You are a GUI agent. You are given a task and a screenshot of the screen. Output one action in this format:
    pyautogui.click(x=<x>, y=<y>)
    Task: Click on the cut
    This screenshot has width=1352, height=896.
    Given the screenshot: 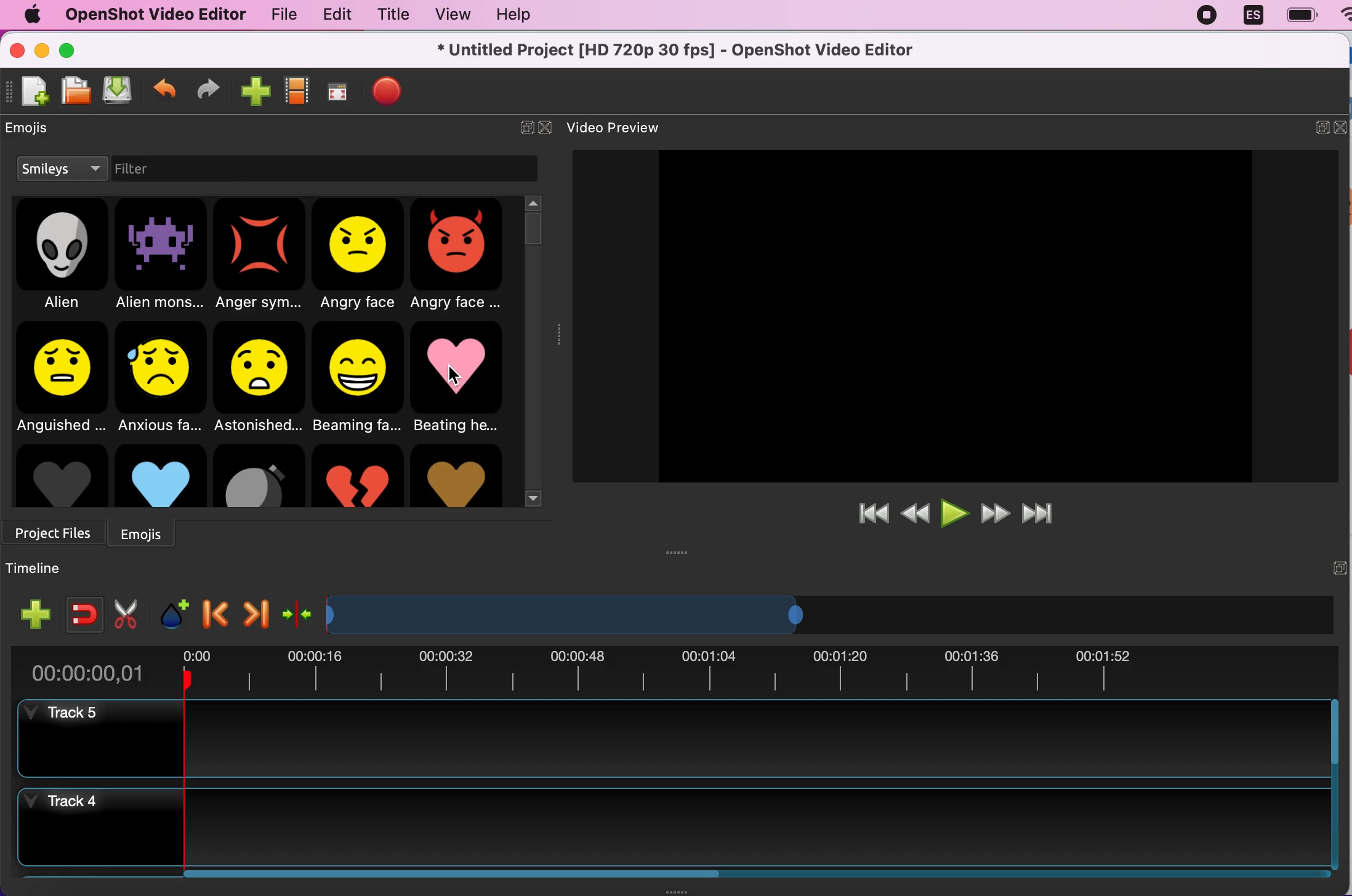 What is the action you would take?
    pyautogui.click(x=126, y=613)
    